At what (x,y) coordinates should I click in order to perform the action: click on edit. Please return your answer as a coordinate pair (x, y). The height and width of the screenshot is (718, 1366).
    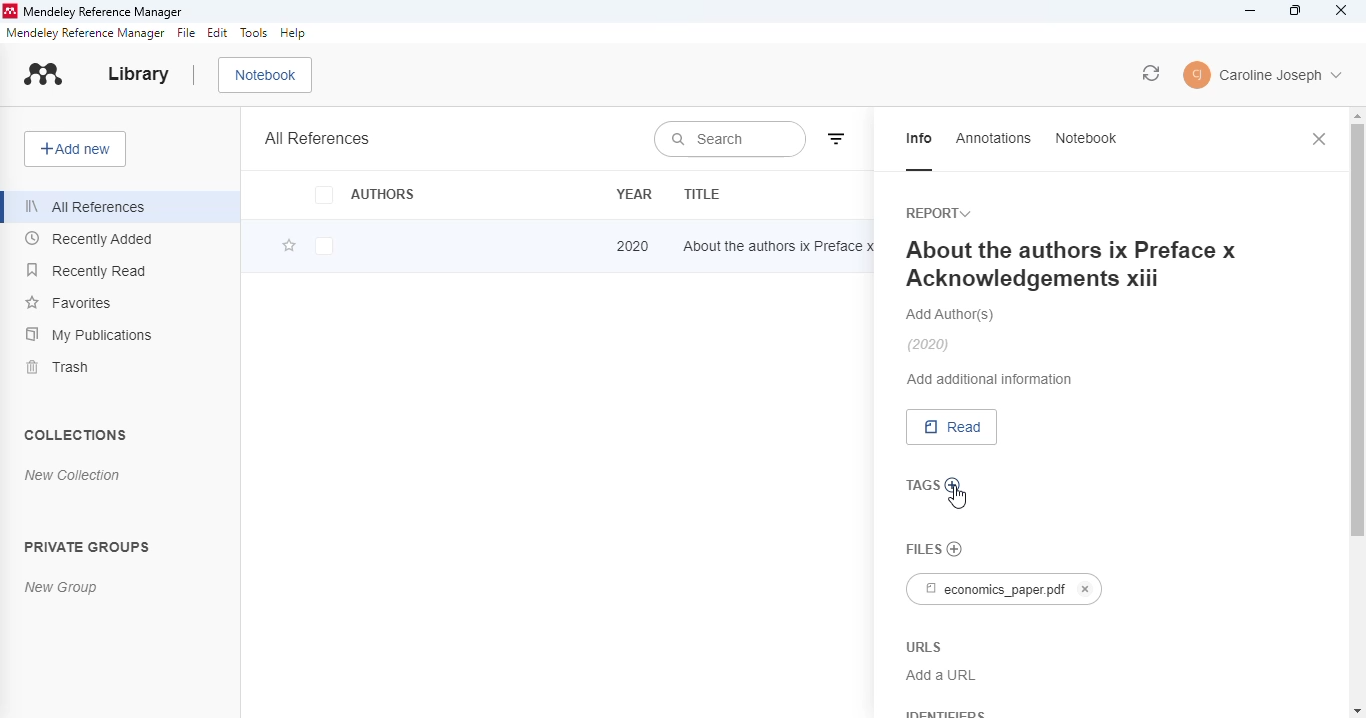
    Looking at the image, I should click on (219, 33).